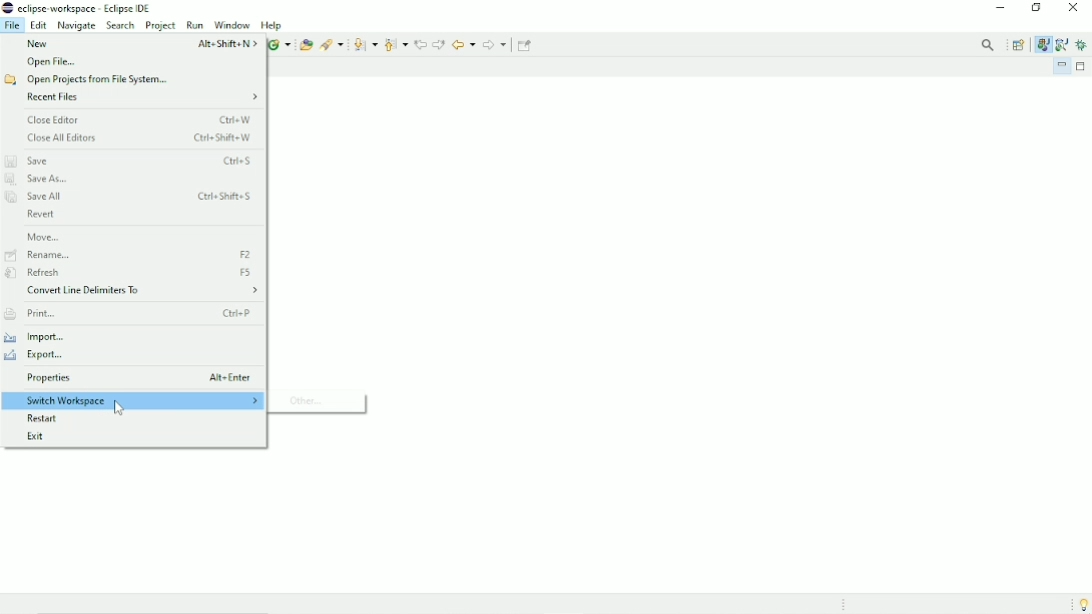 The height and width of the screenshot is (614, 1092). Describe the element at coordinates (1062, 66) in the screenshot. I see `Minimize` at that location.